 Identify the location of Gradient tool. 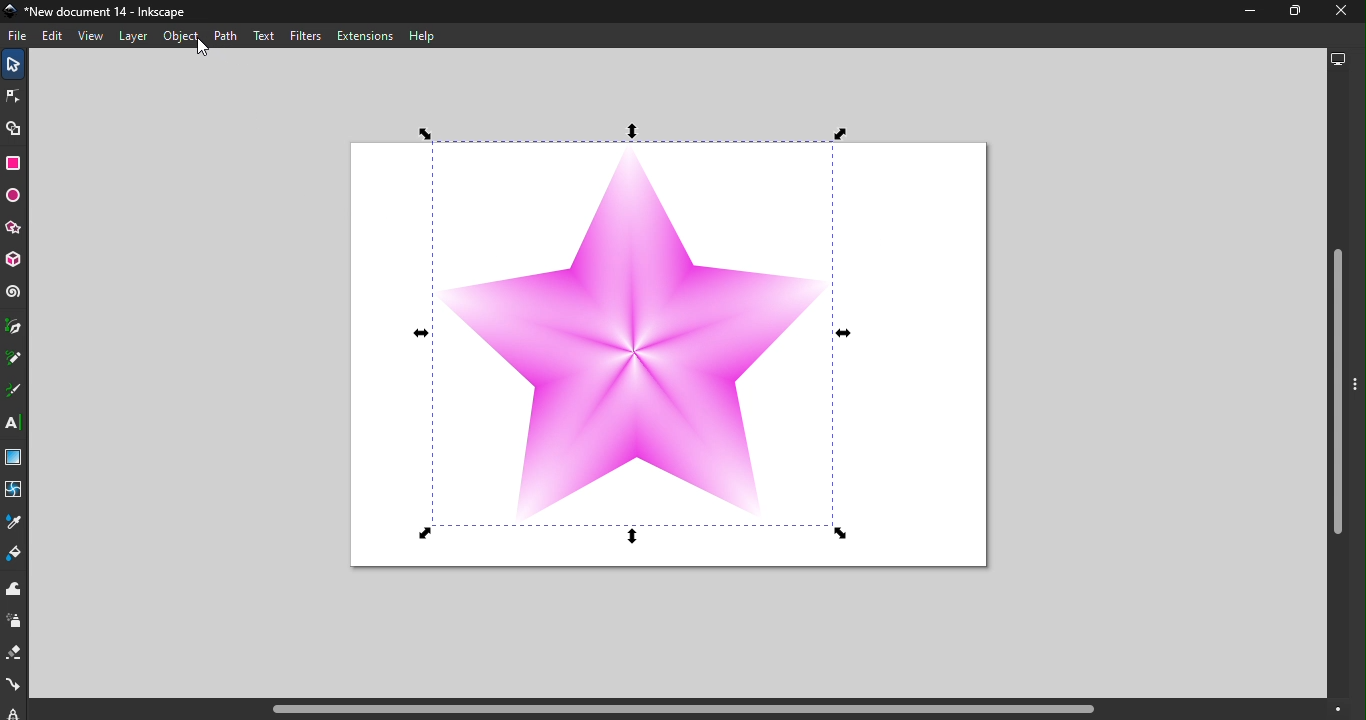
(15, 458).